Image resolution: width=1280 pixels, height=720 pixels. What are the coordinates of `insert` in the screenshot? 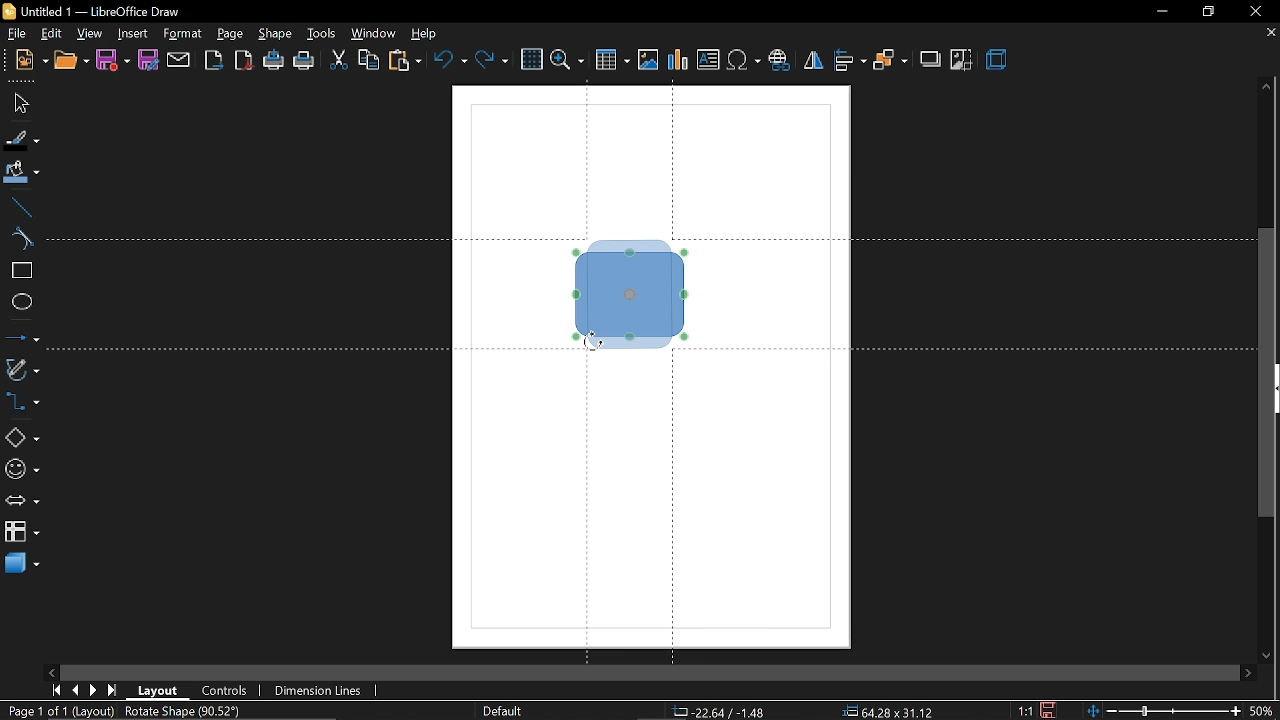 It's located at (133, 35).